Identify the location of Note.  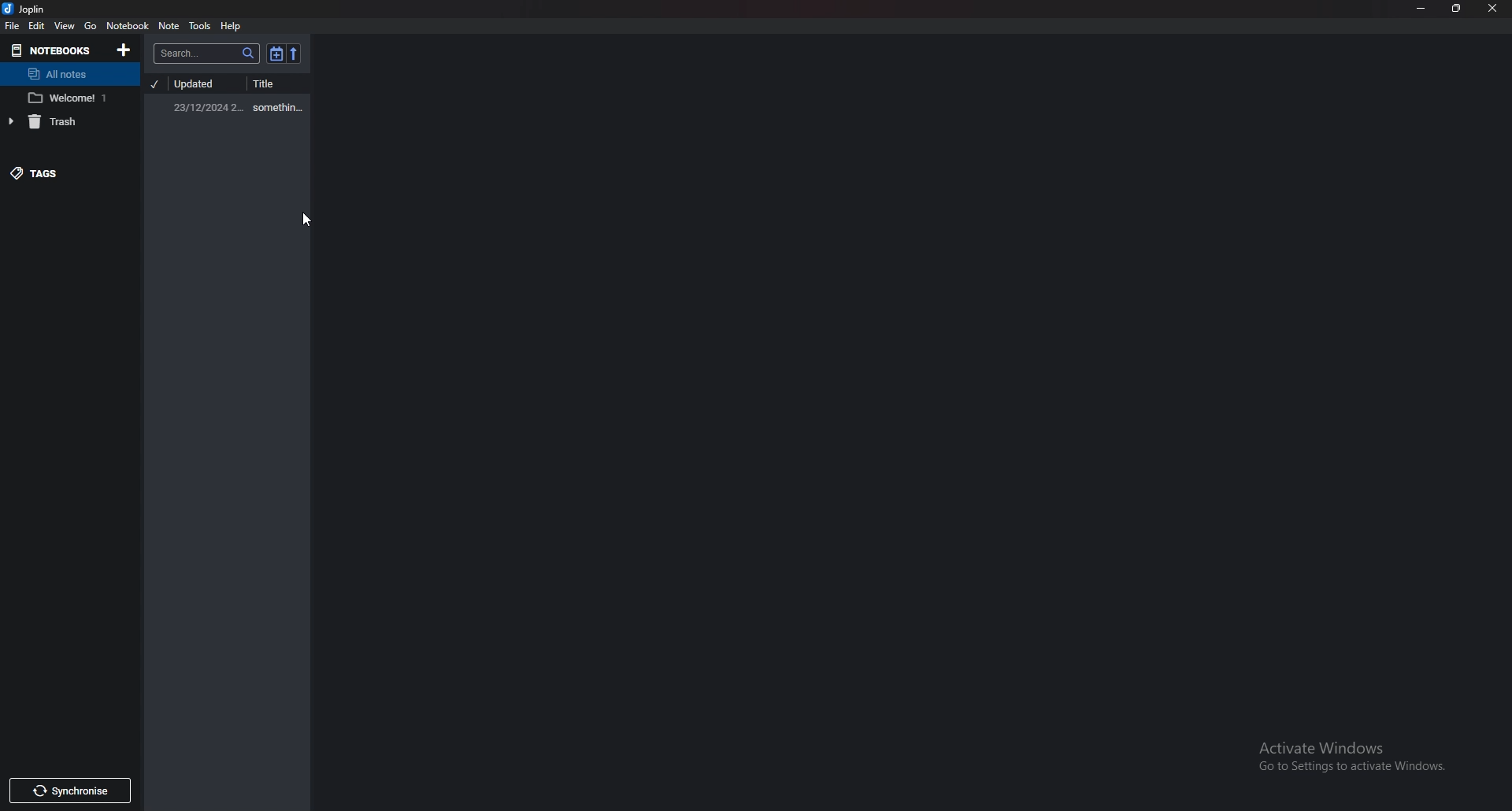
(170, 25).